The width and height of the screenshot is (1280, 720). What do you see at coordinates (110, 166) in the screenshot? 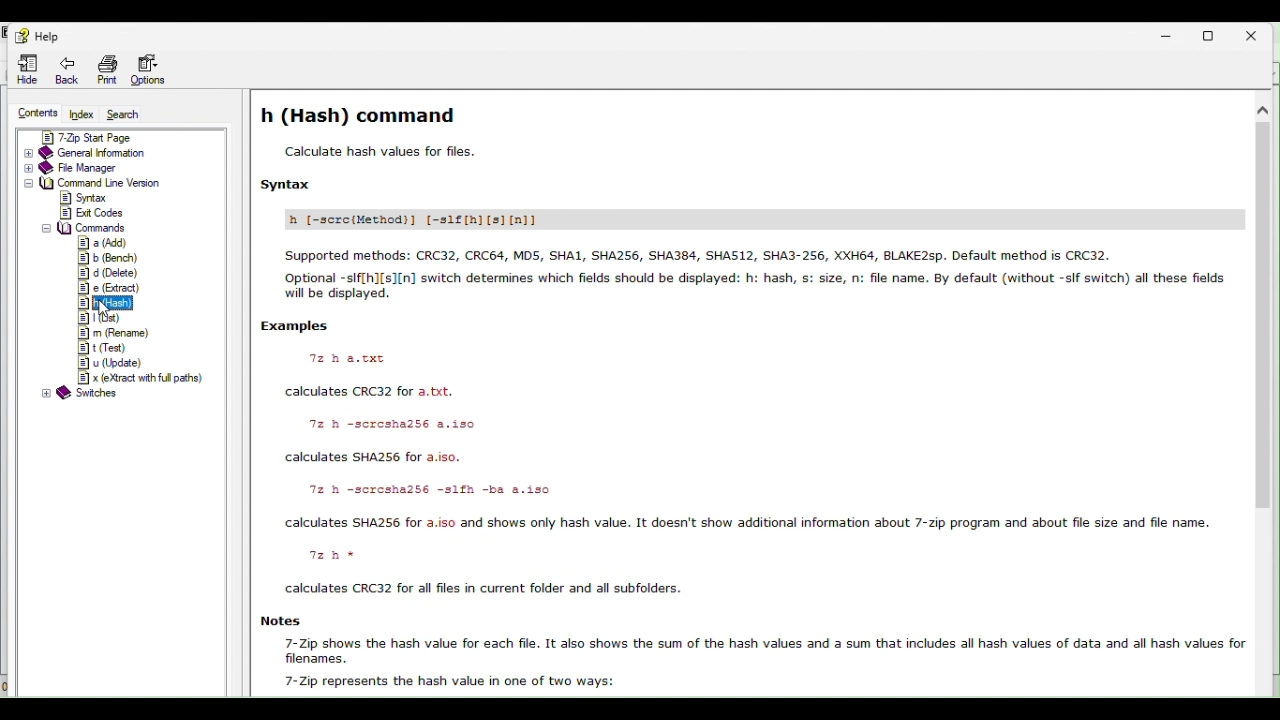
I see `File manager` at bounding box center [110, 166].